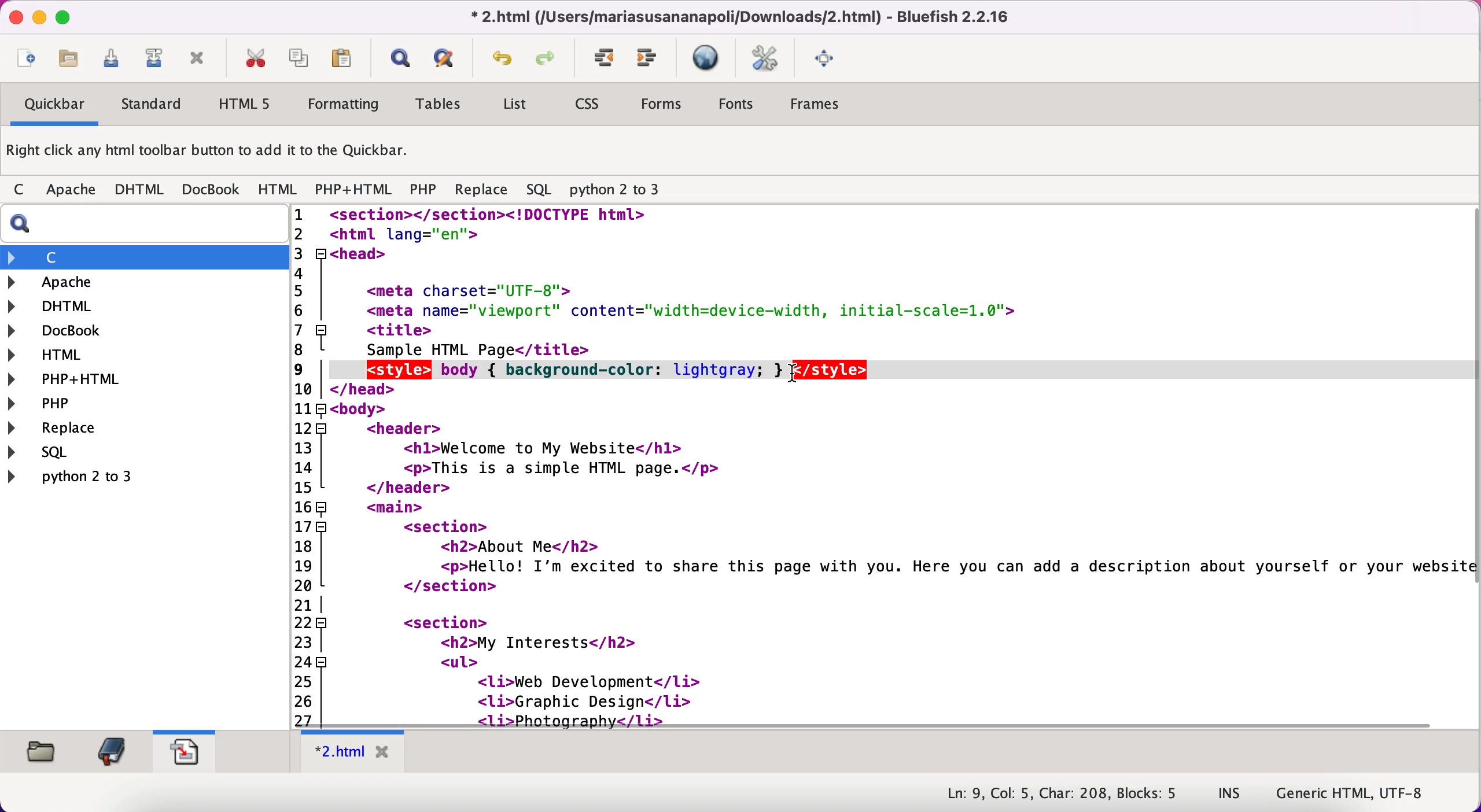 The image size is (1481, 812). Describe the element at coordinates (184, 749) in the screenshot. I see `snippets` at that location.